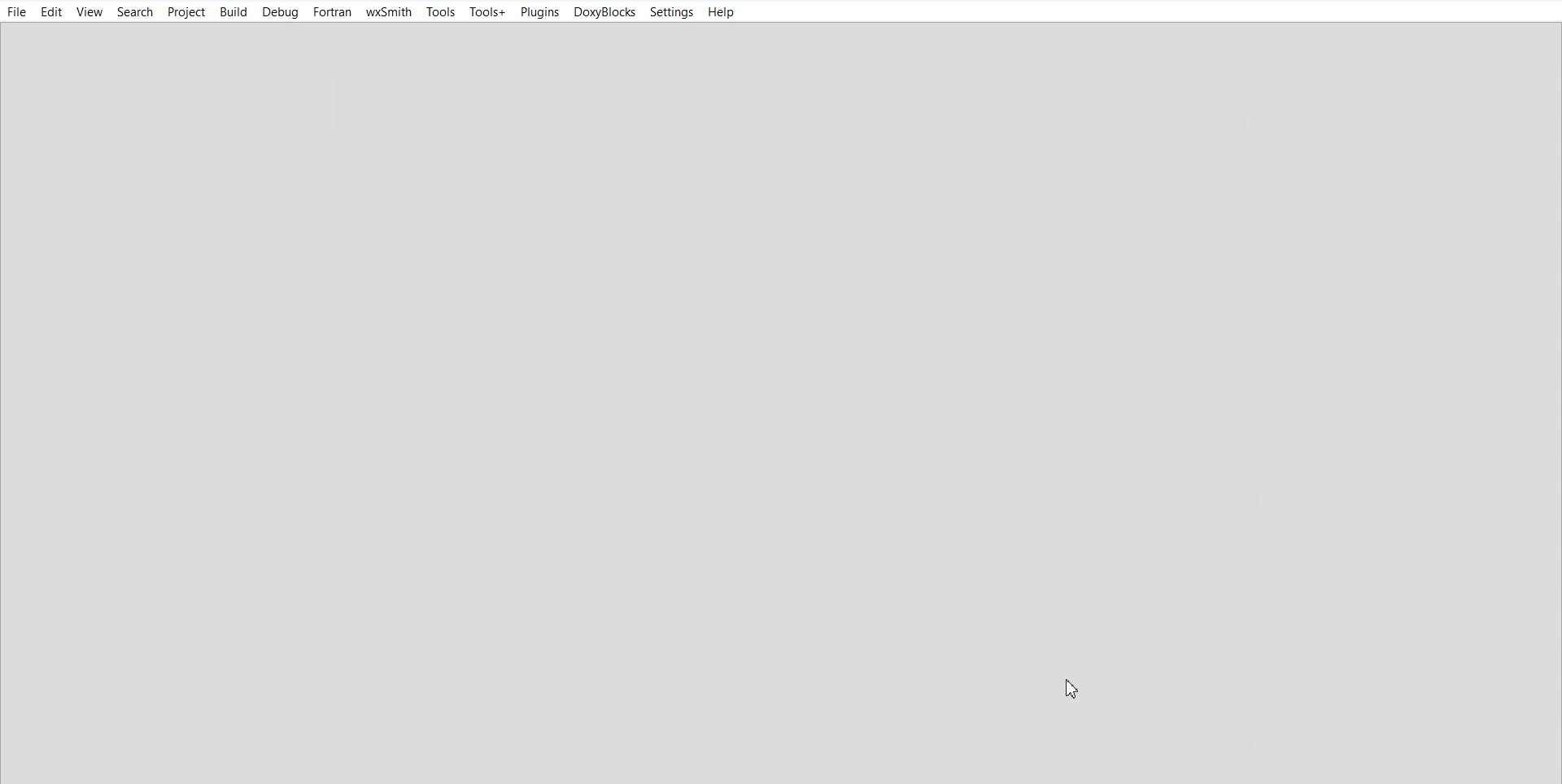 This screenshot has width=1562, height=784. What do you see at coordinates (605, 12) in the screenshot?
I see `DoxyBlocks` at bounding box center [605, 12].